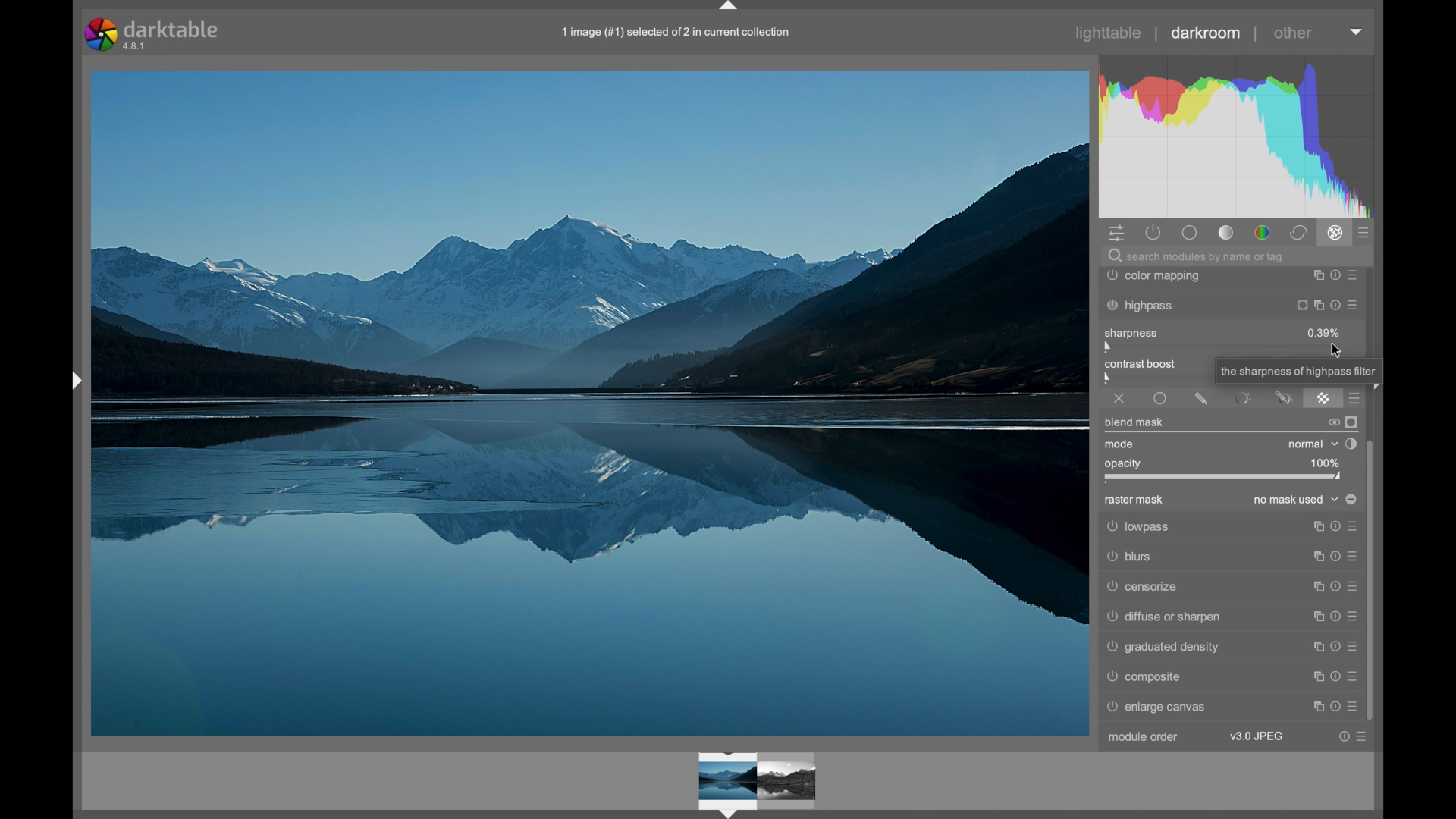 The height and width of the screenshot is (819, 1456). What do you see at coordinates (1163, 647) in the screenshot?
I see `graduated density` at bounding box center [1163, 647].